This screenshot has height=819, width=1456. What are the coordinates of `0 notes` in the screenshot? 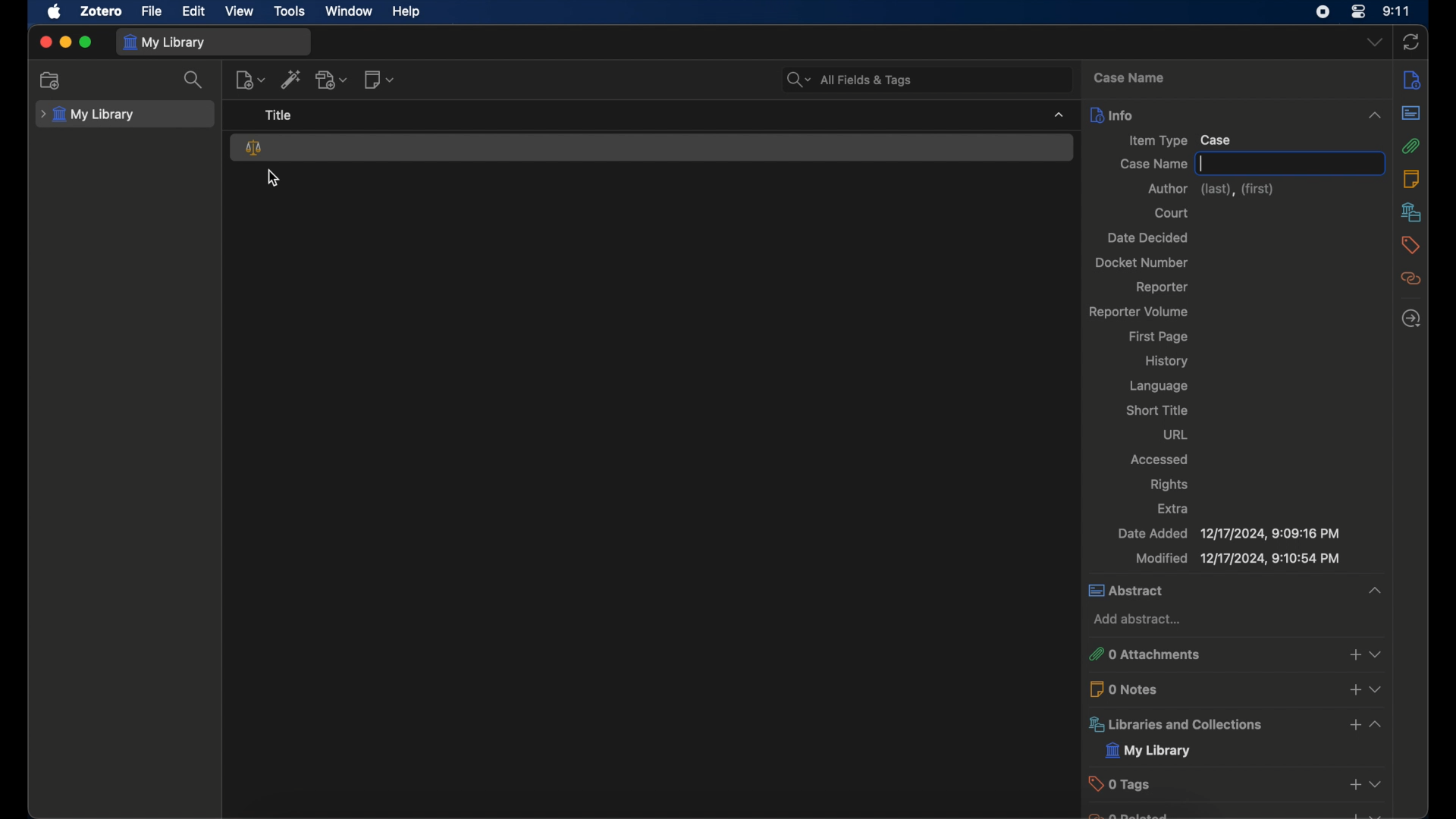 It's located at (1235, 690).